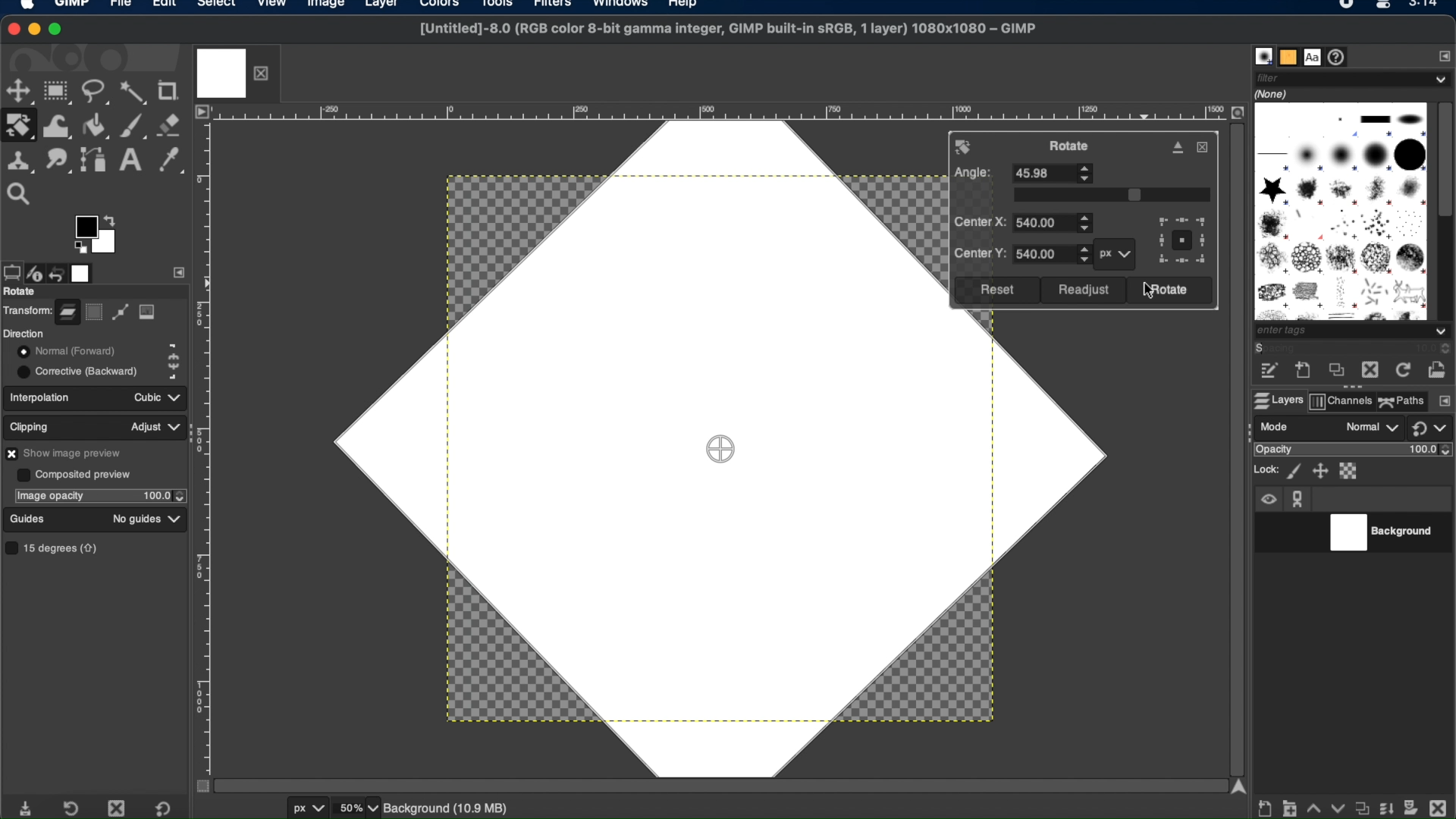  What do you see at coordinates (155, 427) in the screenshot?
I see `adjust dropdown` at bounding box center [155, 427].